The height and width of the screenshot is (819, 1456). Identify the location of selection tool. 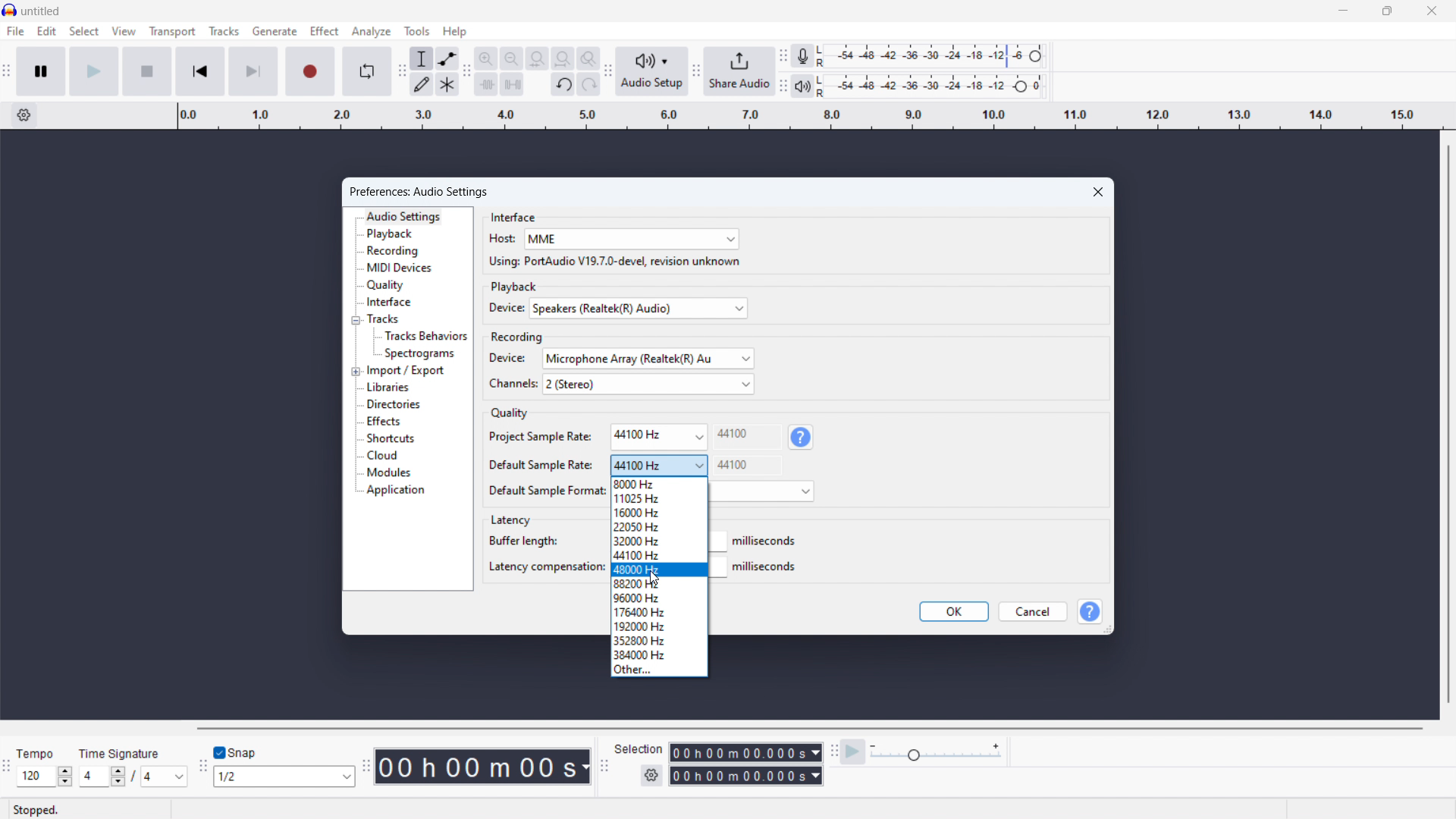
(421, 58).